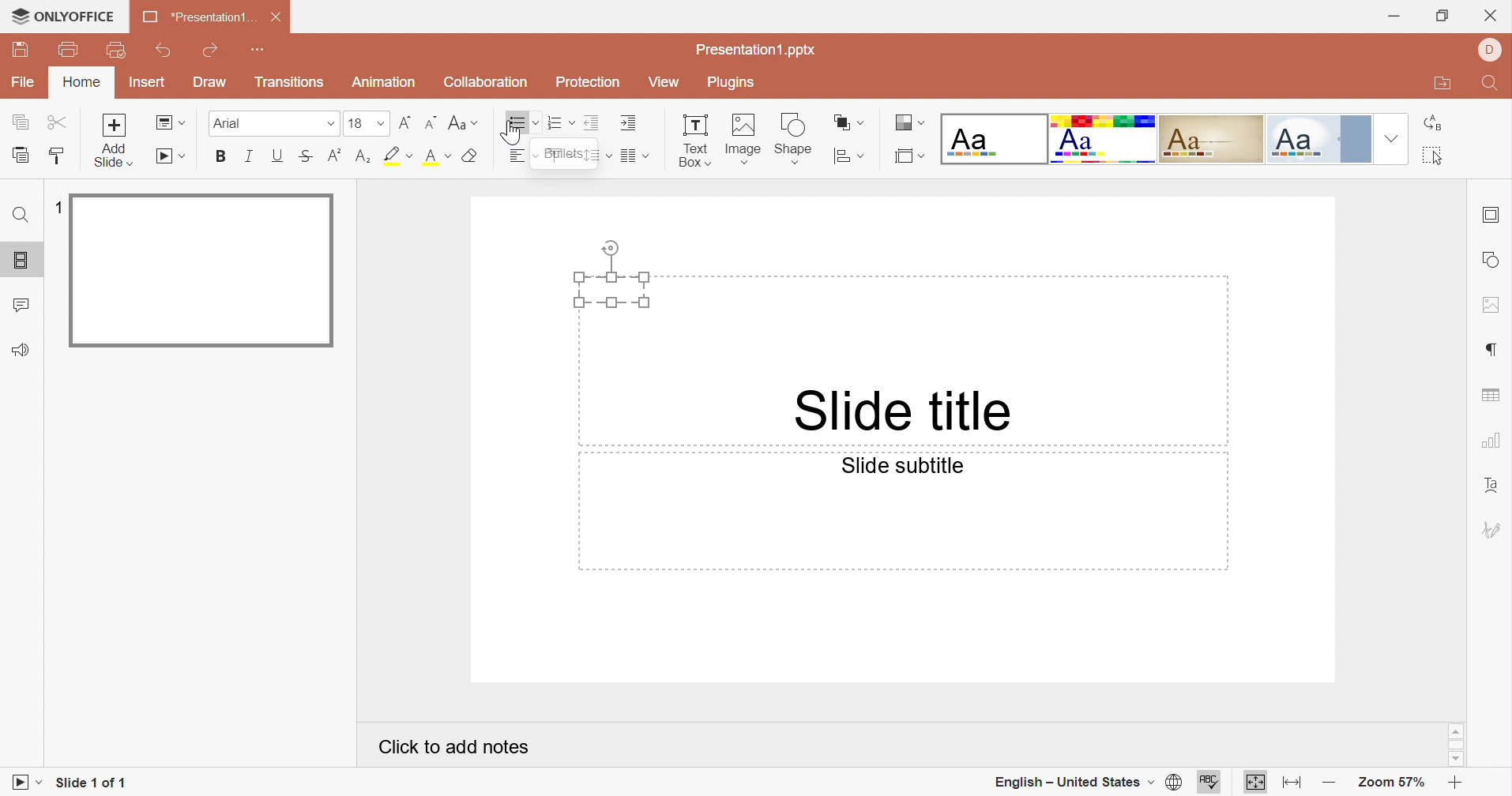 The height and width of the screenshot is (796, 1512). Describe the element at coordinates (291, 84) in the screenshot. I see `Transitions` at that location.